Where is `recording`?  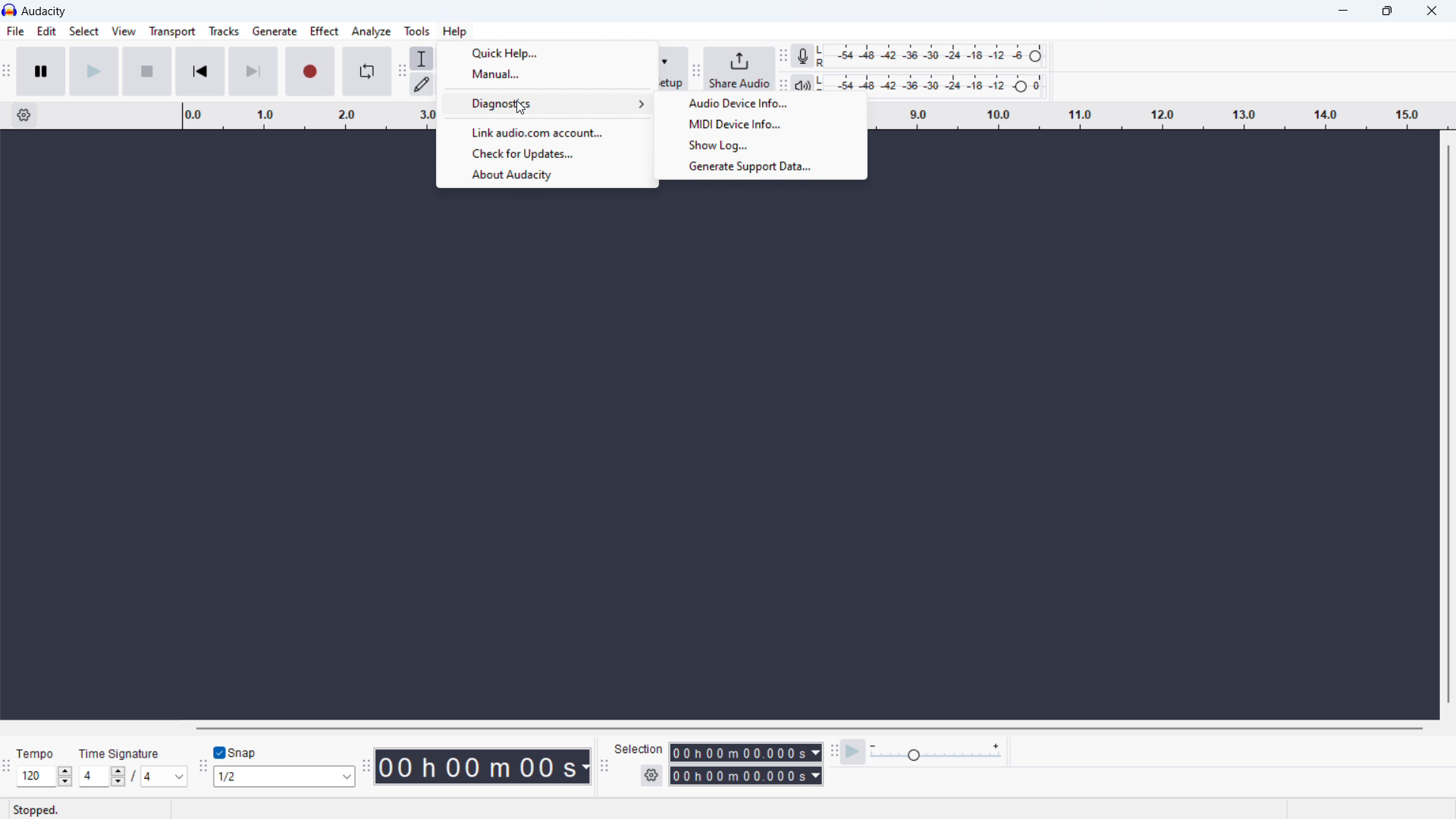 recording is located at coordinates (310, 71).